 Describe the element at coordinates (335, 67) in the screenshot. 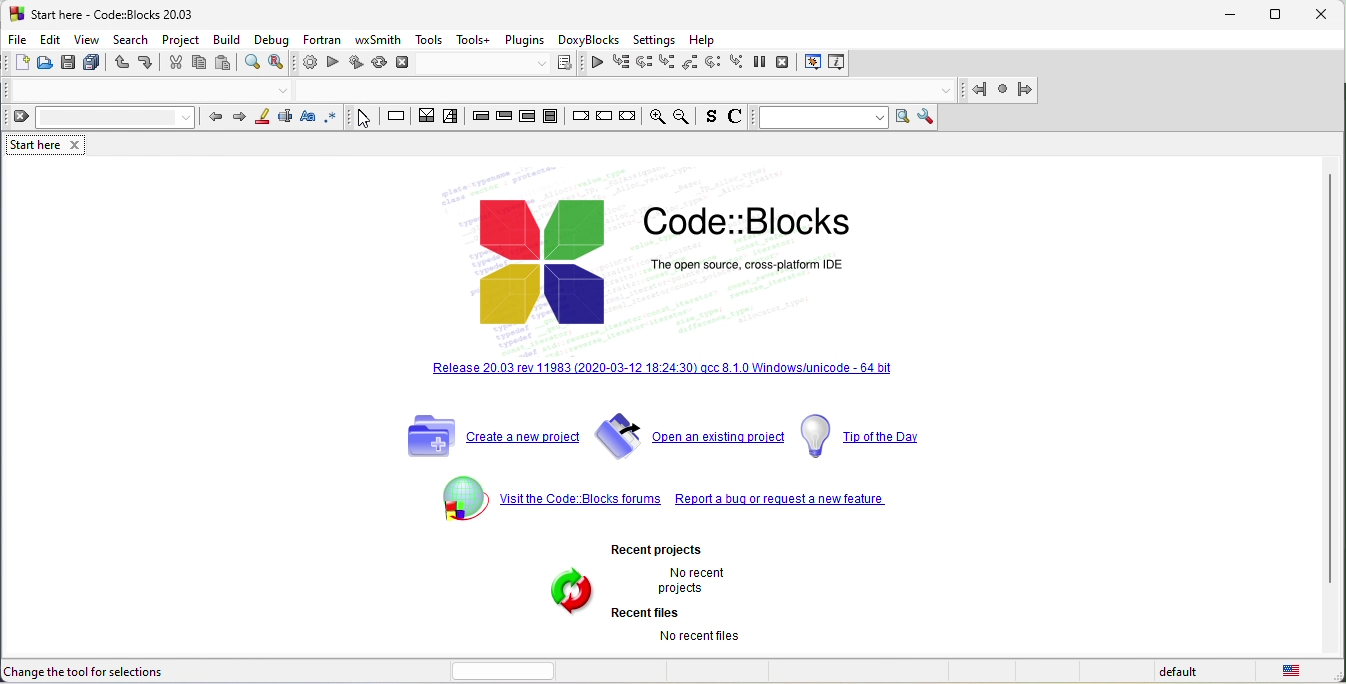

I see `run` at that location.